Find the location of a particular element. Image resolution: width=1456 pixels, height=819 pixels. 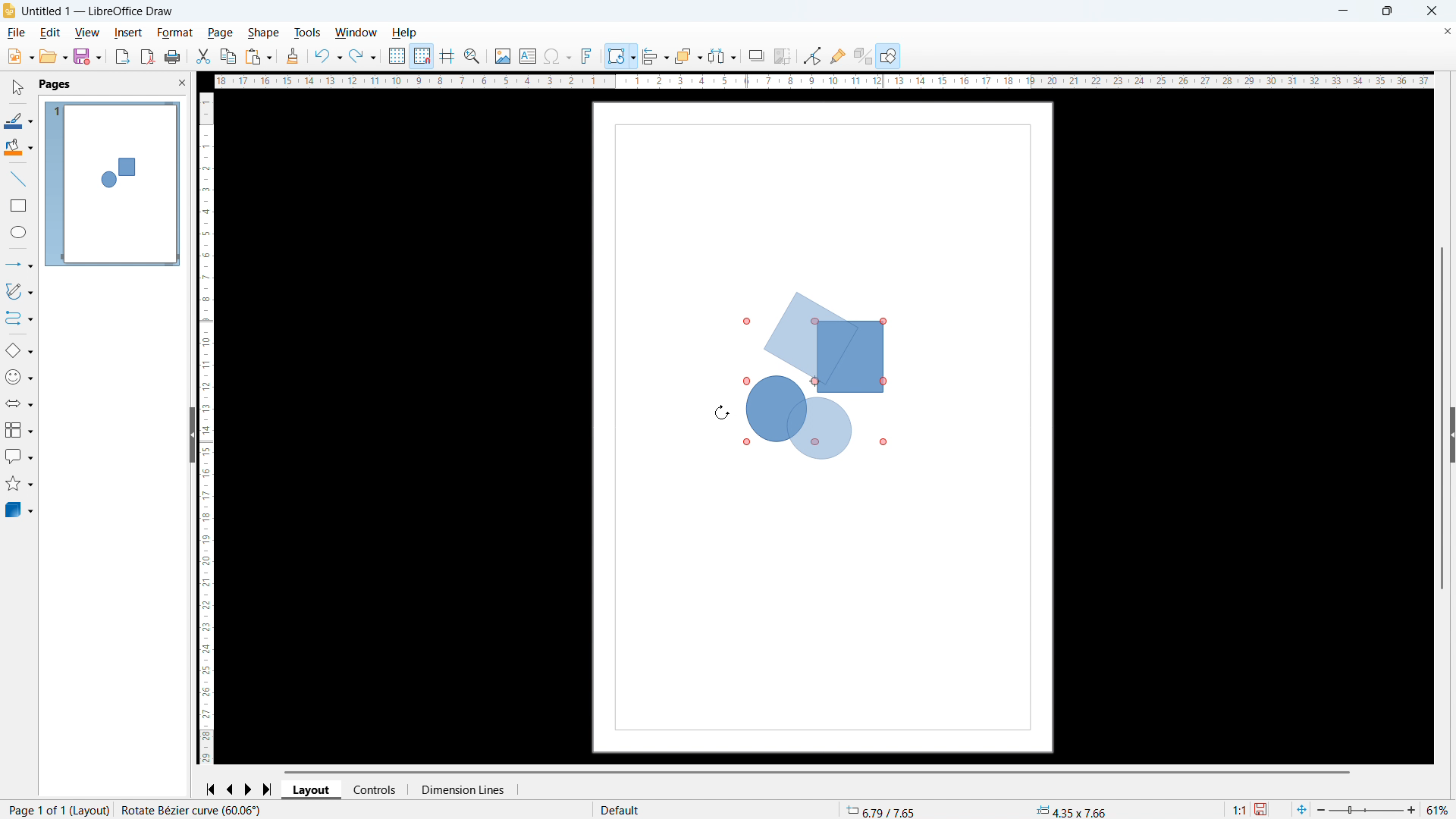

Maximise  is located at coordinates (1387, 11).